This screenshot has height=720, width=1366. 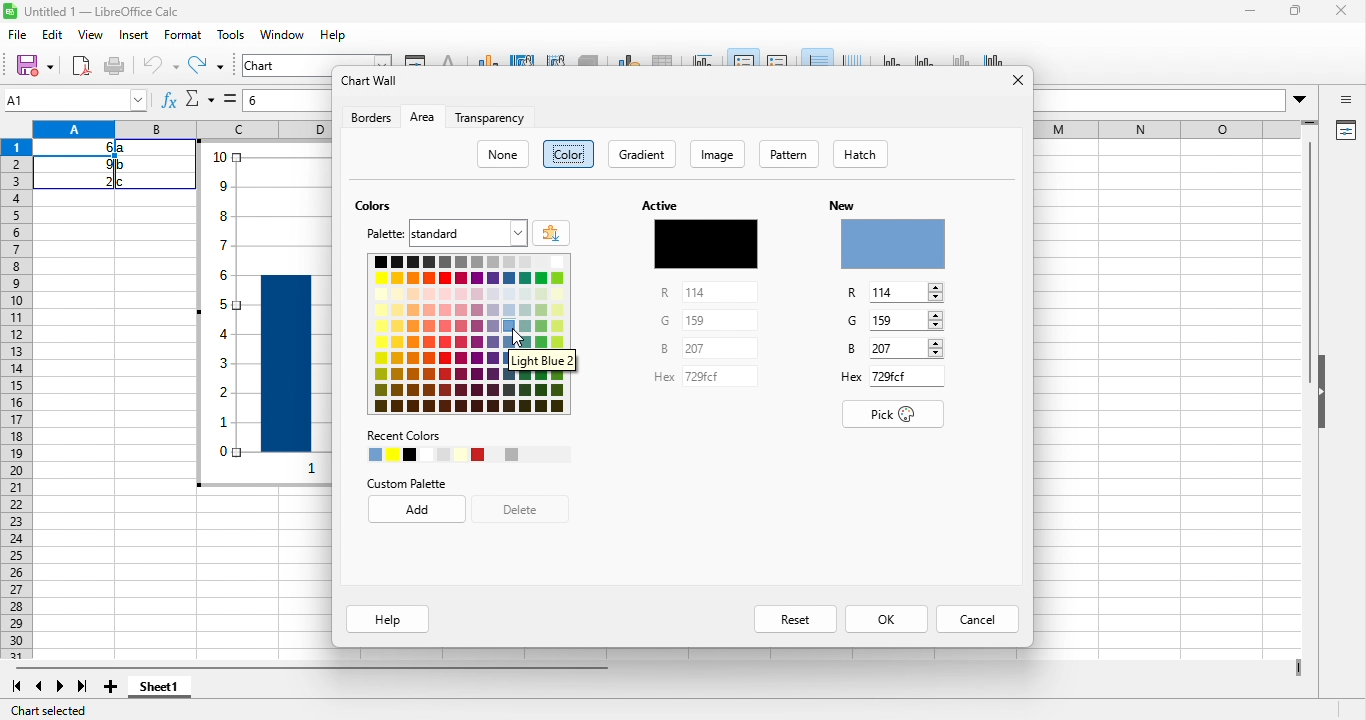 What do you see at coordinates (55, 37) in the screenshot?
I see `edit` at bounding box center [55, 37].